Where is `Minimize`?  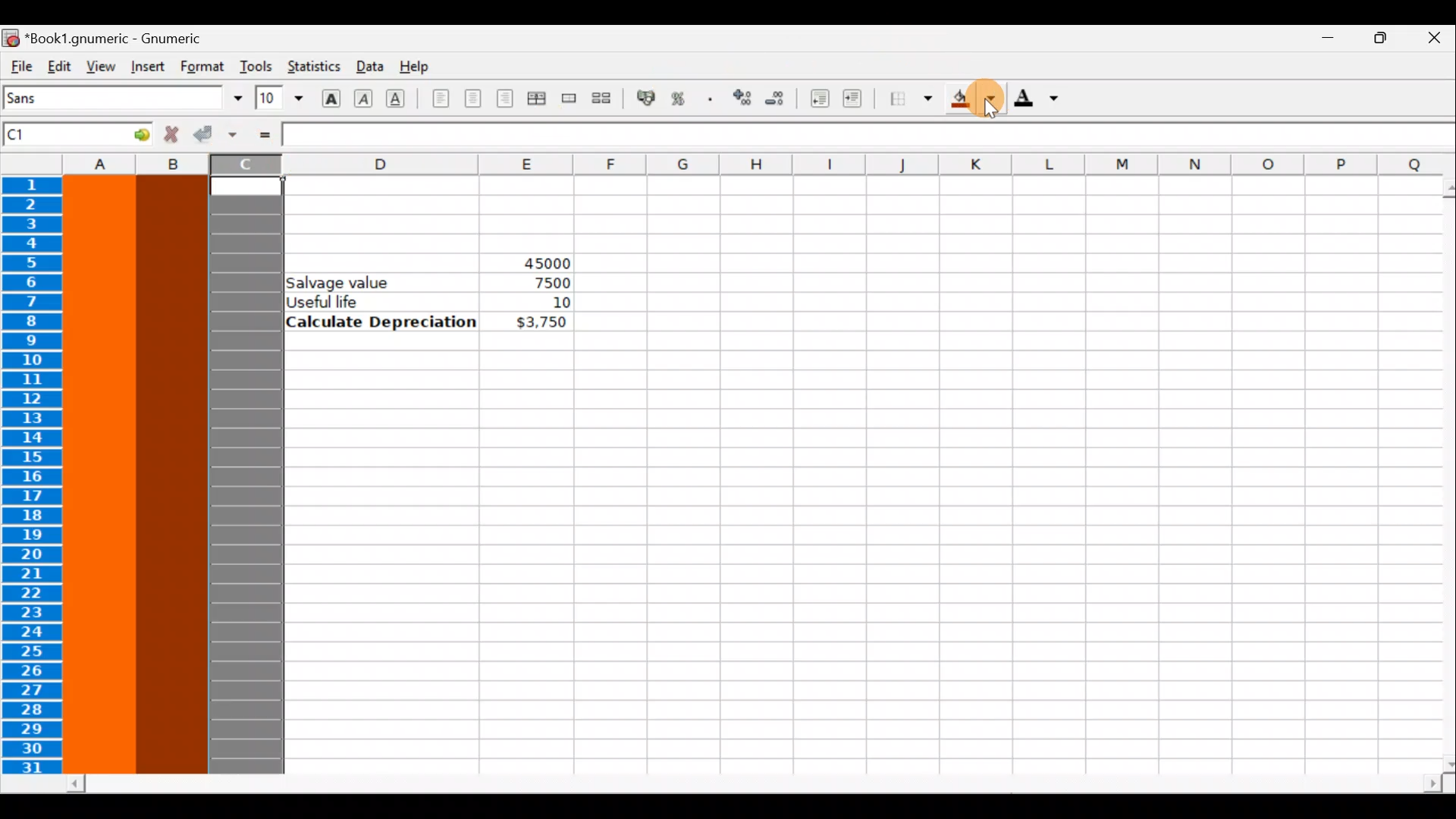
Minimize is located at coordinates (1320, 42).